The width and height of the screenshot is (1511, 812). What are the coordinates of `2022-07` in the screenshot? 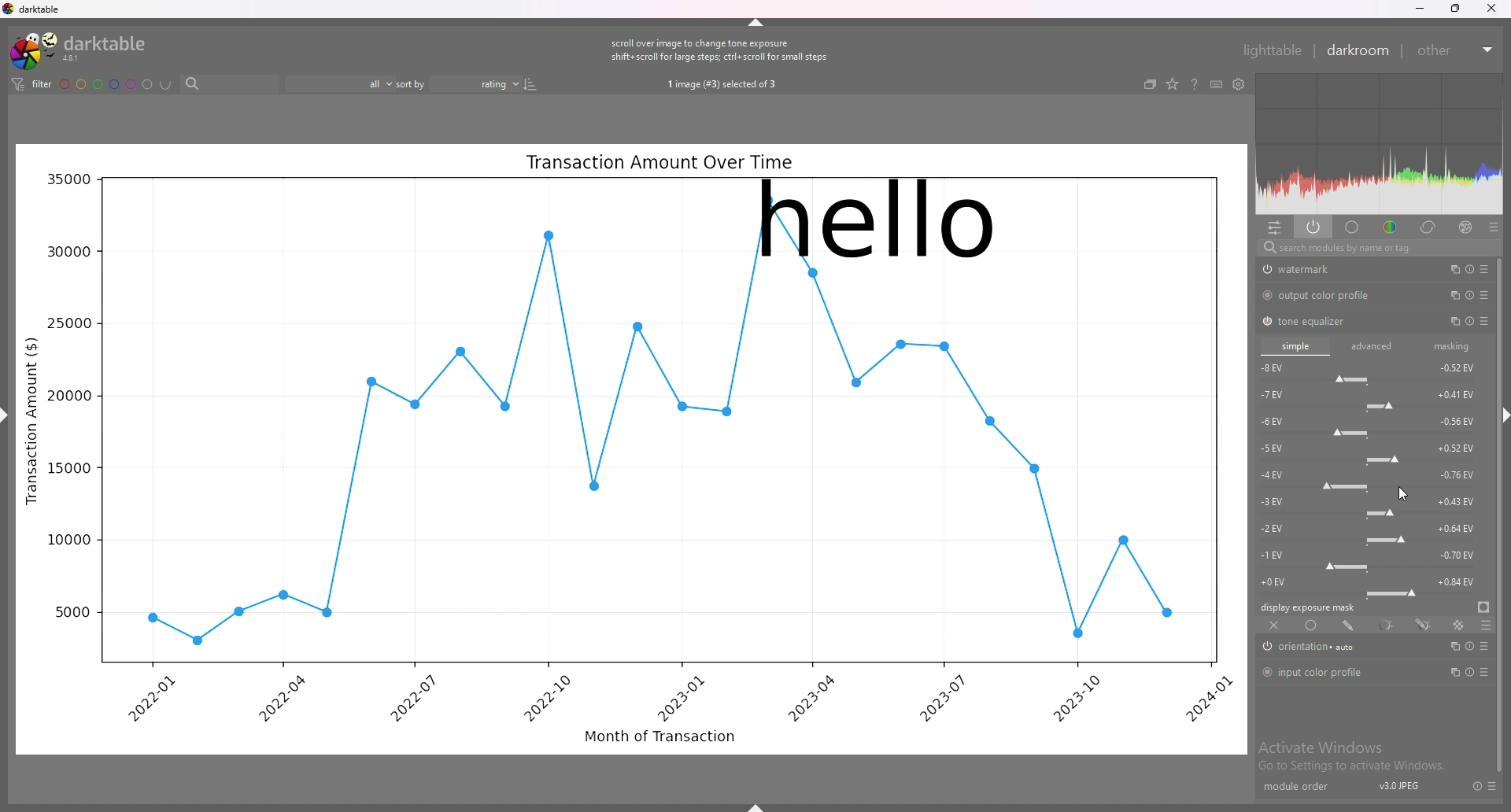 It's located at (410, 697).